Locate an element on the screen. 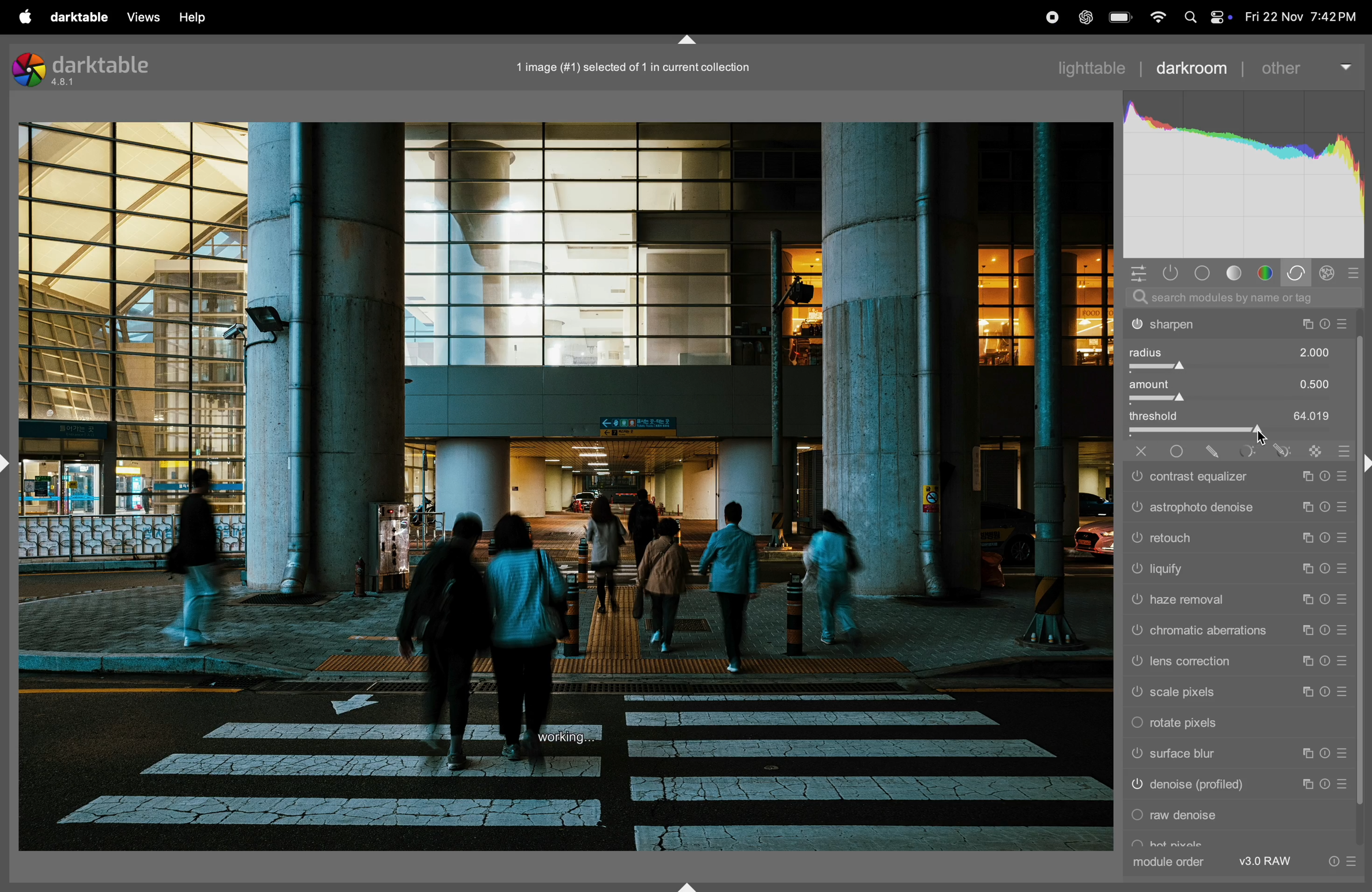 The width and height of the screenshot is (1372, 892). effect is located at coordinates (1331, 272).